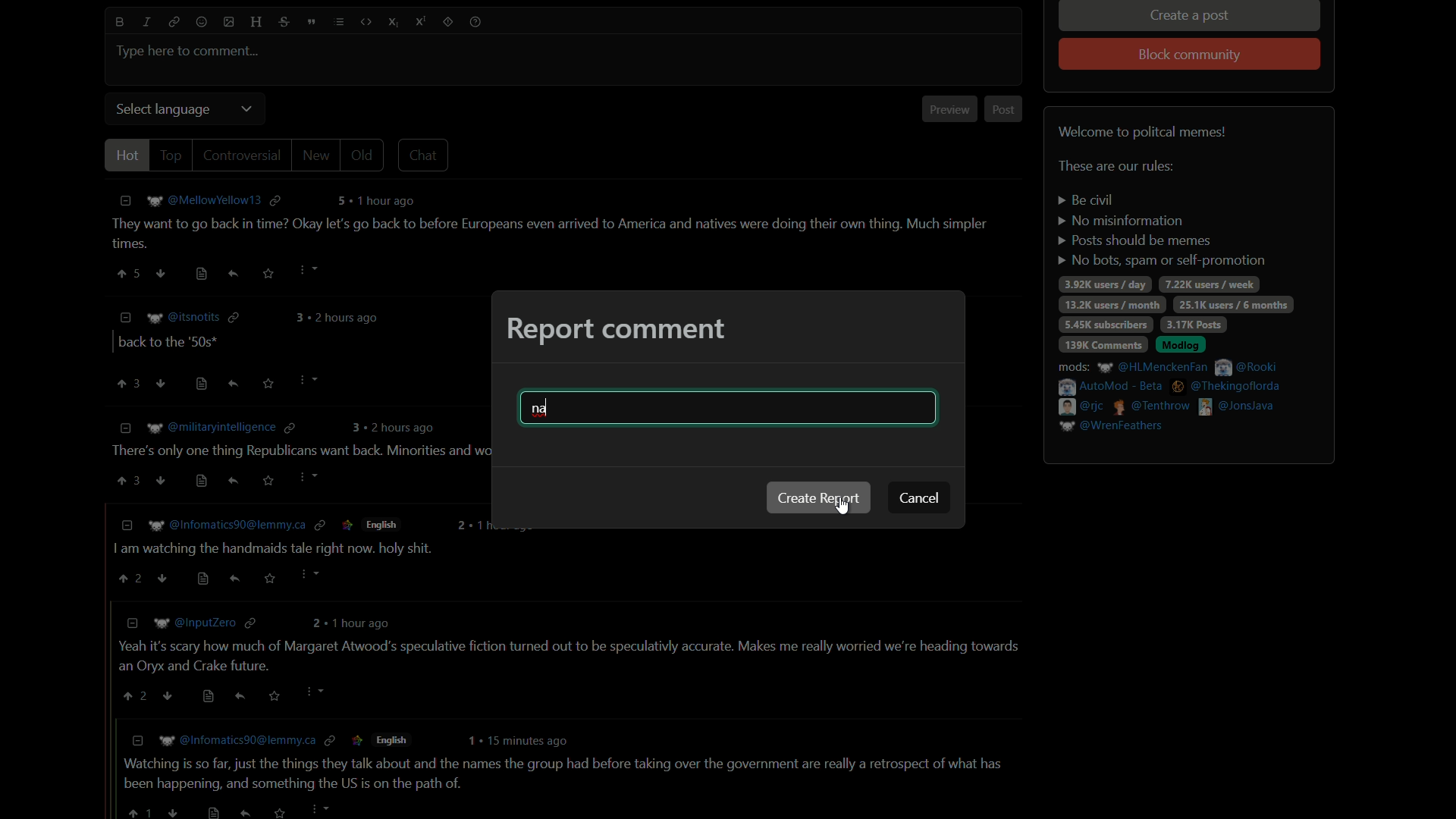  Describe the element at coordinates (1145, 132) in the screenshot. I see `welcome to political memes` at that location.